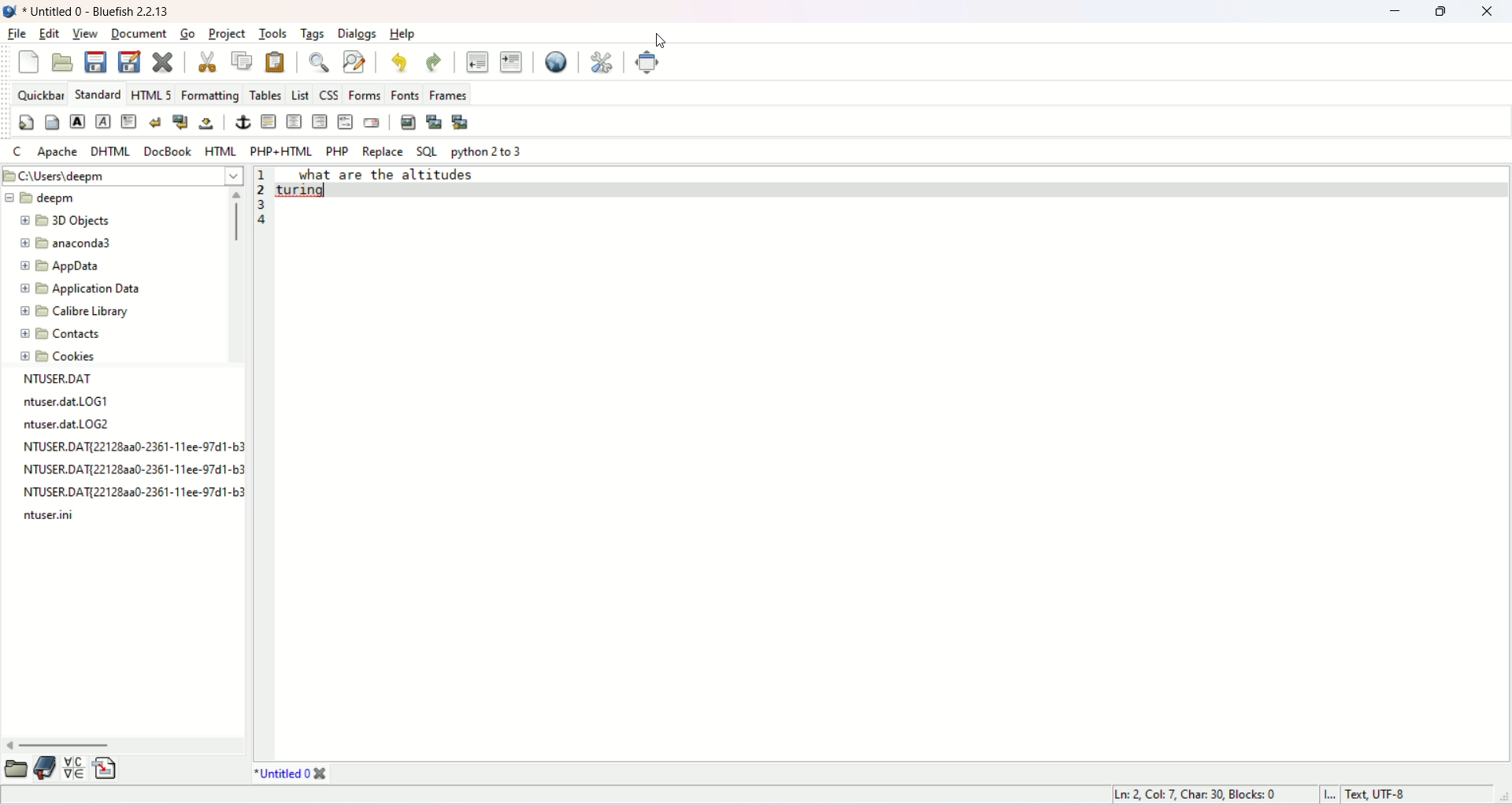 This screenshot has height=805, width=1512. Describe the element at coordinates (299, 92) in the screenshot. I see `list` at that location.